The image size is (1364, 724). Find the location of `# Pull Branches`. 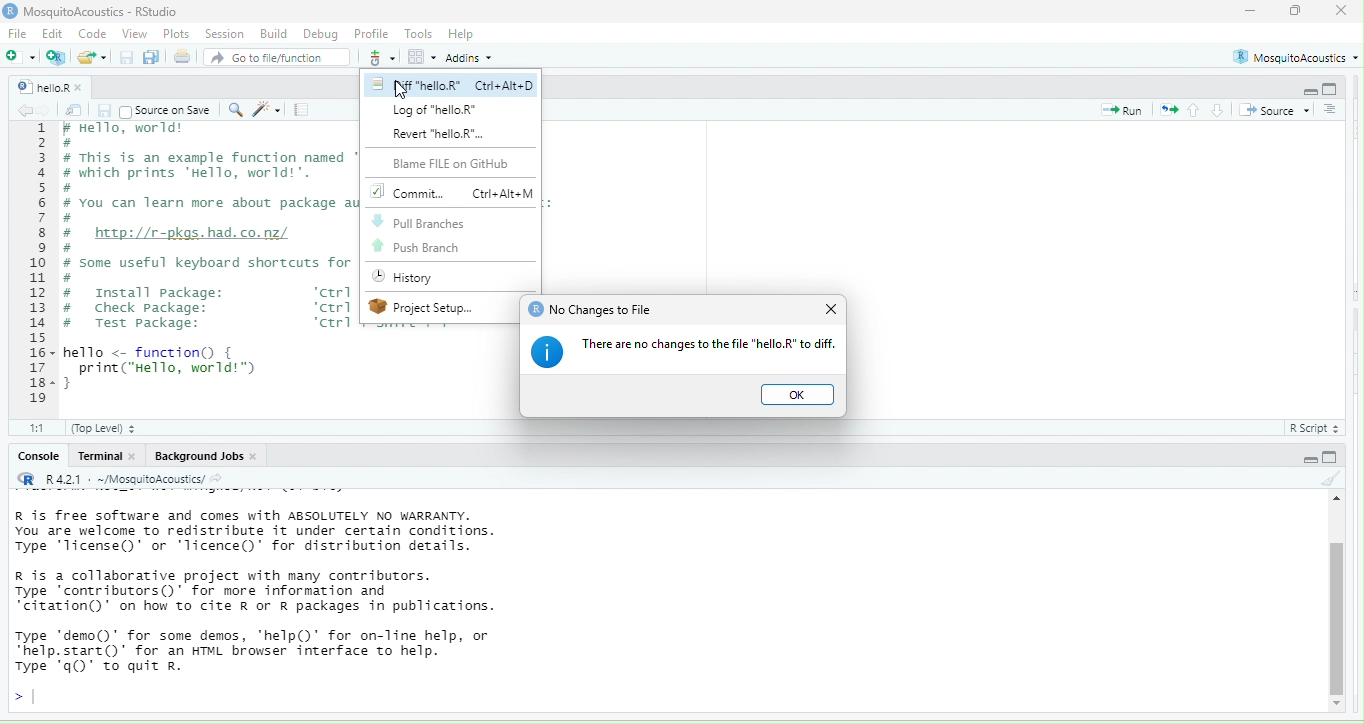

# Pull Branches is located at coordinates (419, 221).